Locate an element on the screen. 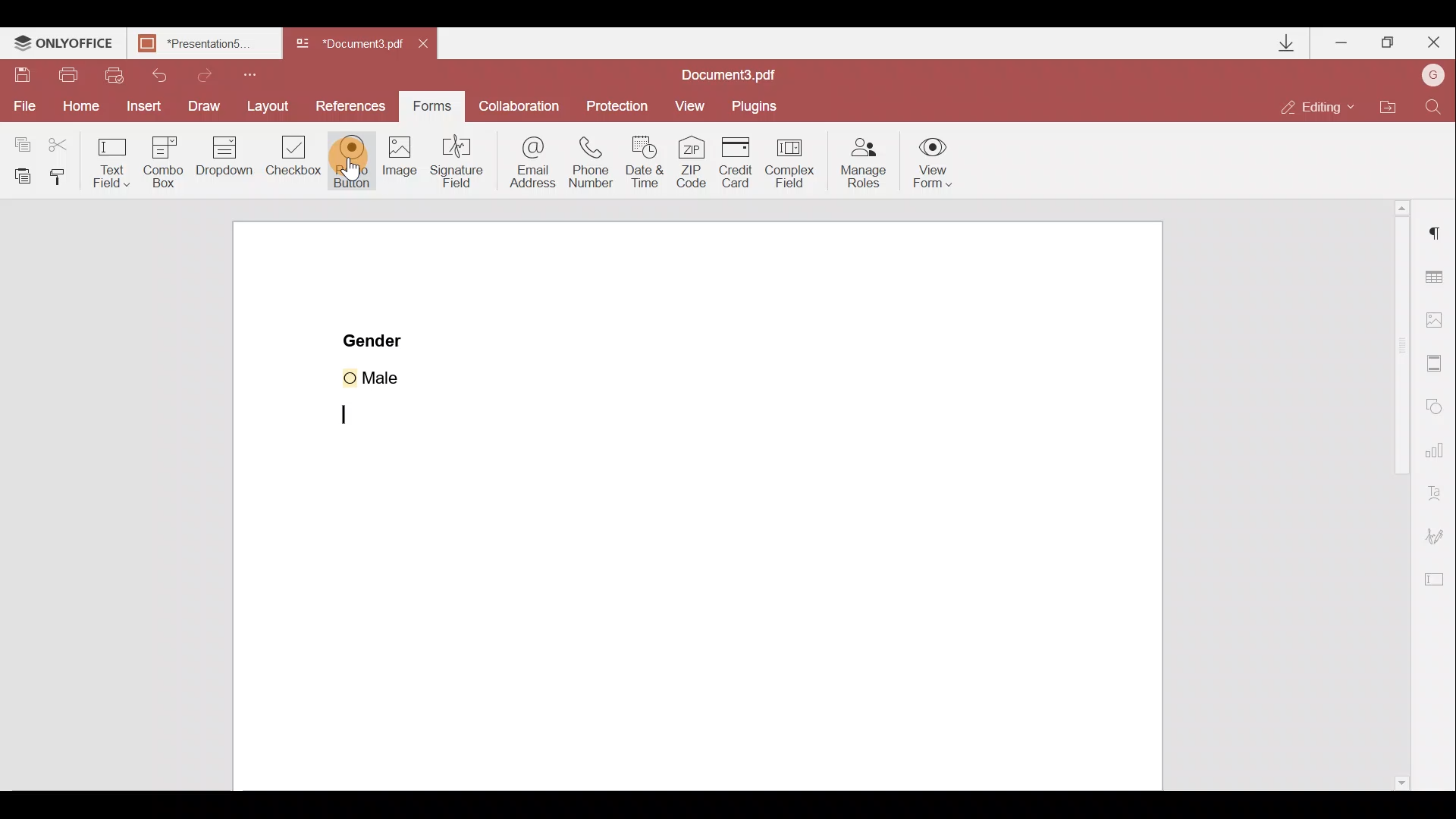 The width and height of the screenshot is (1456, 819). ZIP code is located at coordinates (692, 162).